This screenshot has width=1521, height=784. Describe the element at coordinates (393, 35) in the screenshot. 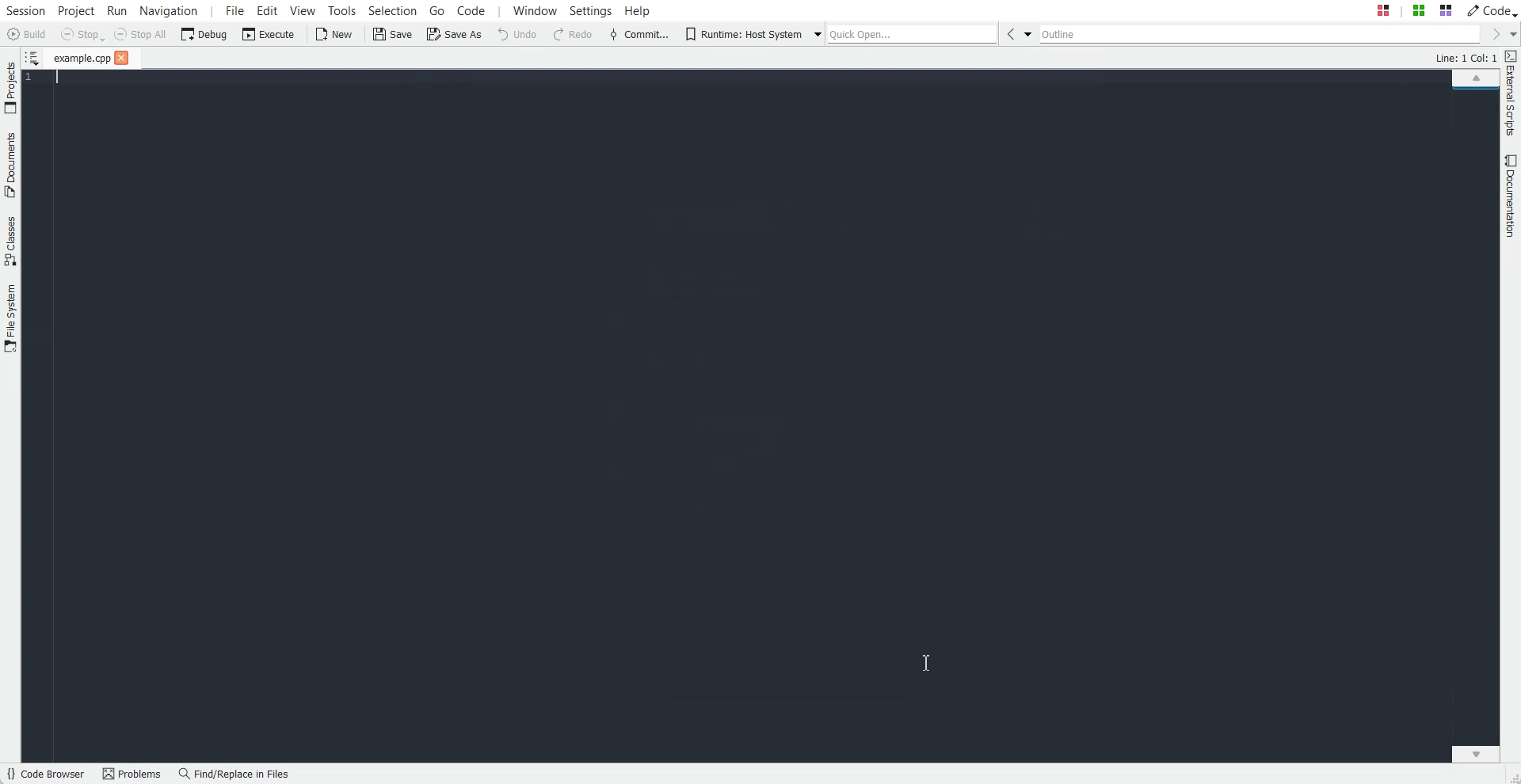

I see `Save` at that location.